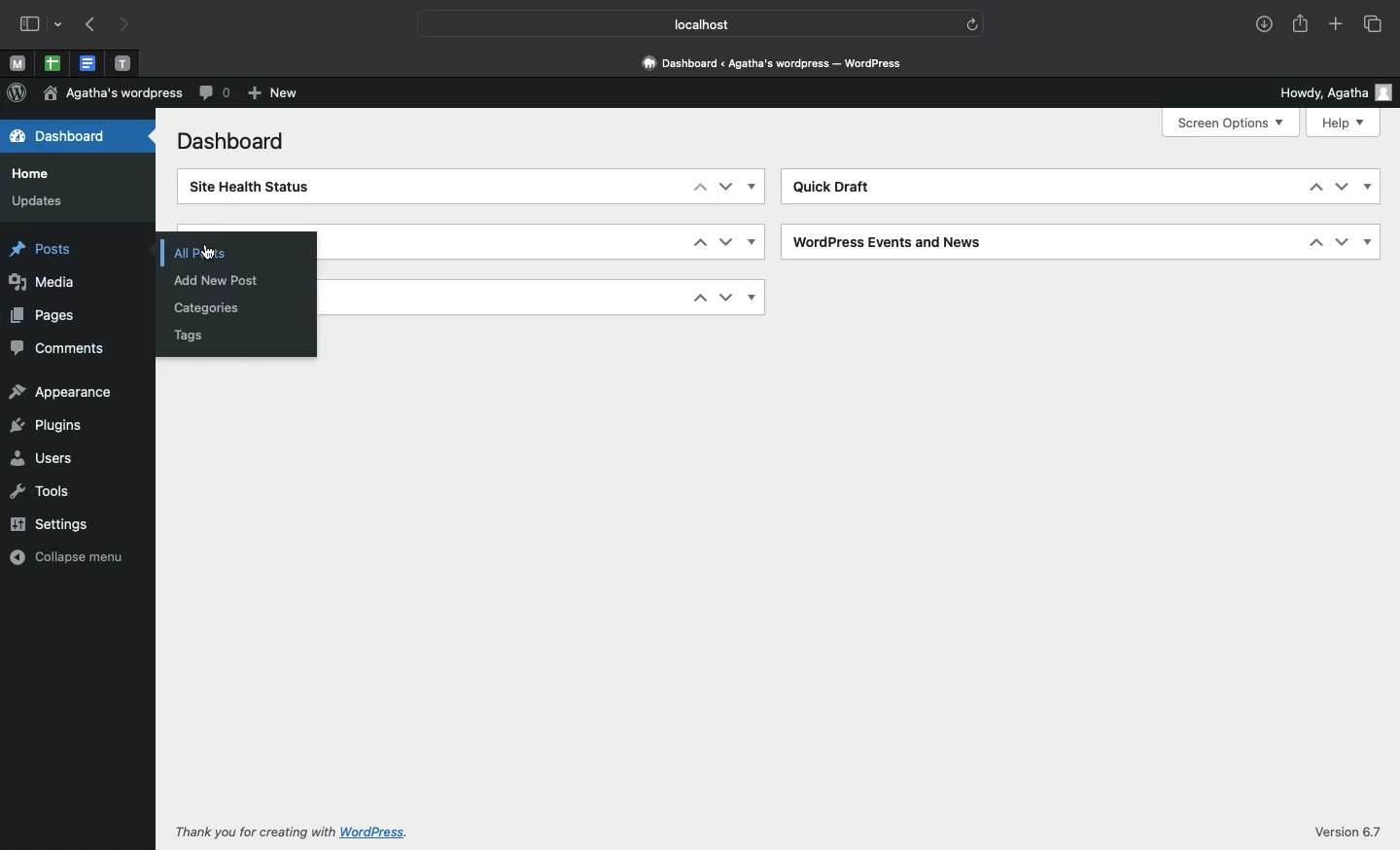  Describe the element at coordinates (45, 315) in the screenshot. I see `Pages` at that location.